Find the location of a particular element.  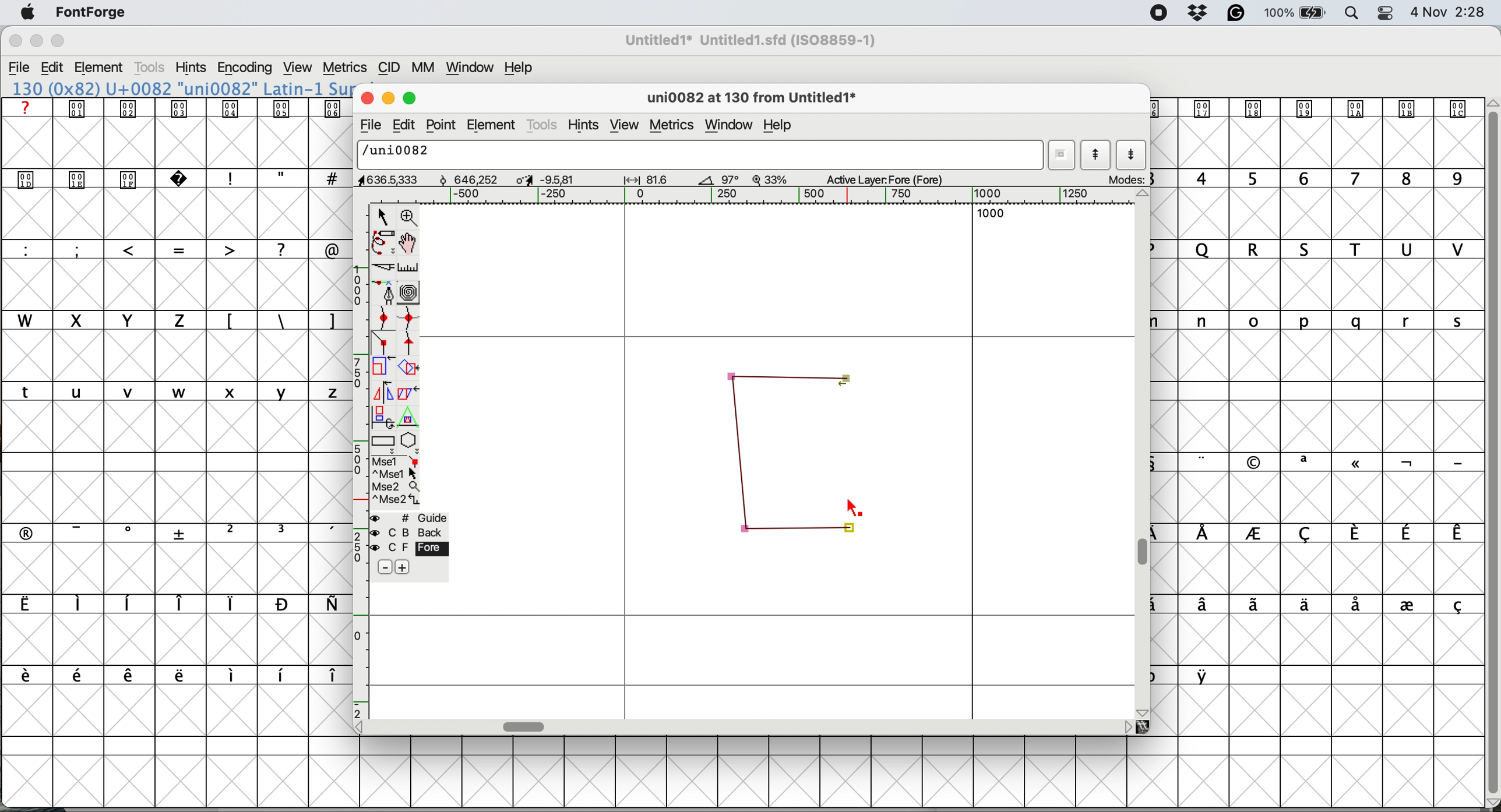

screen recorder is located at coordinates (1160, 13).